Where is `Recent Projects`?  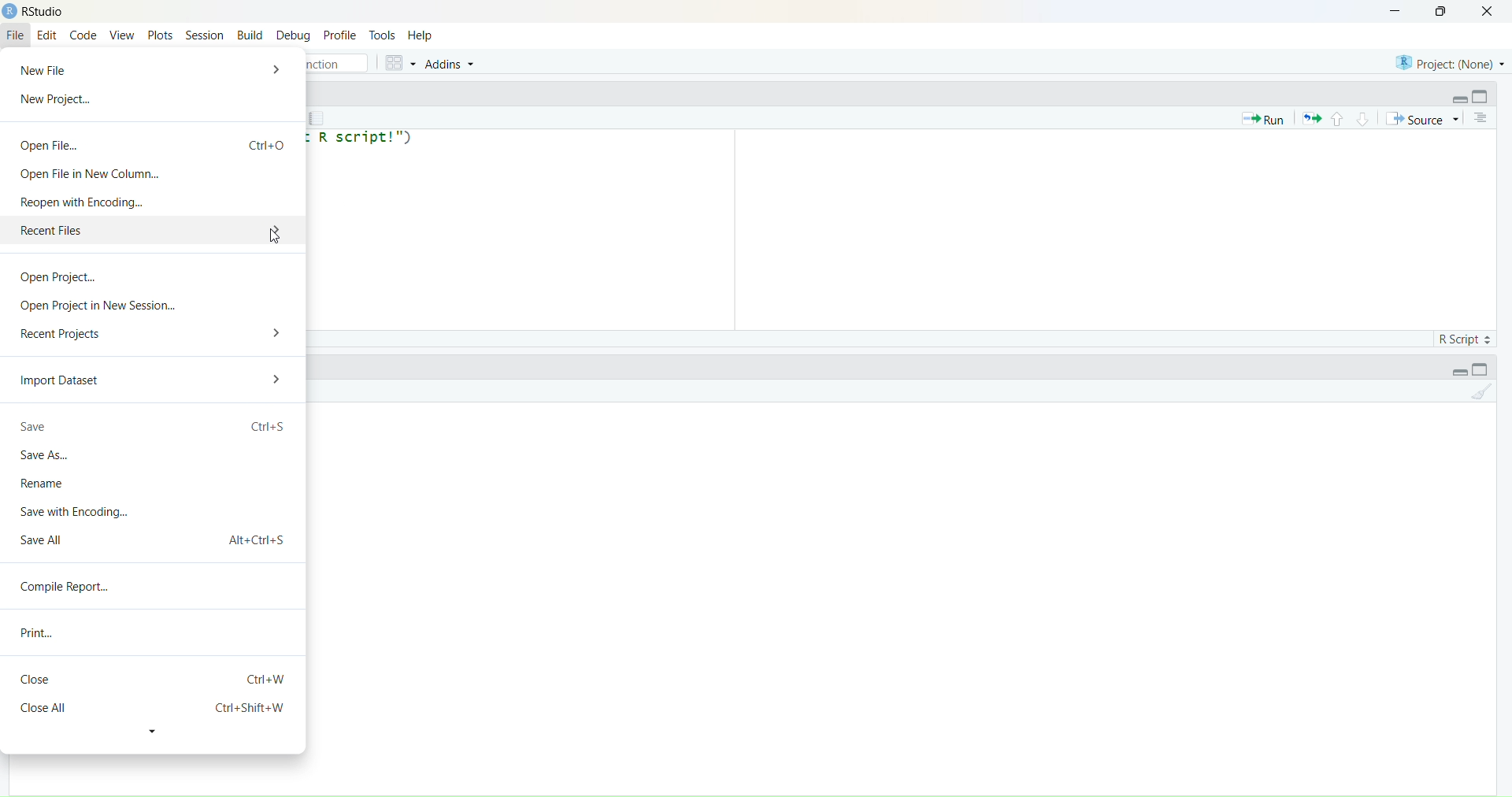 Recent Projects is located at coordinates (63, 332).